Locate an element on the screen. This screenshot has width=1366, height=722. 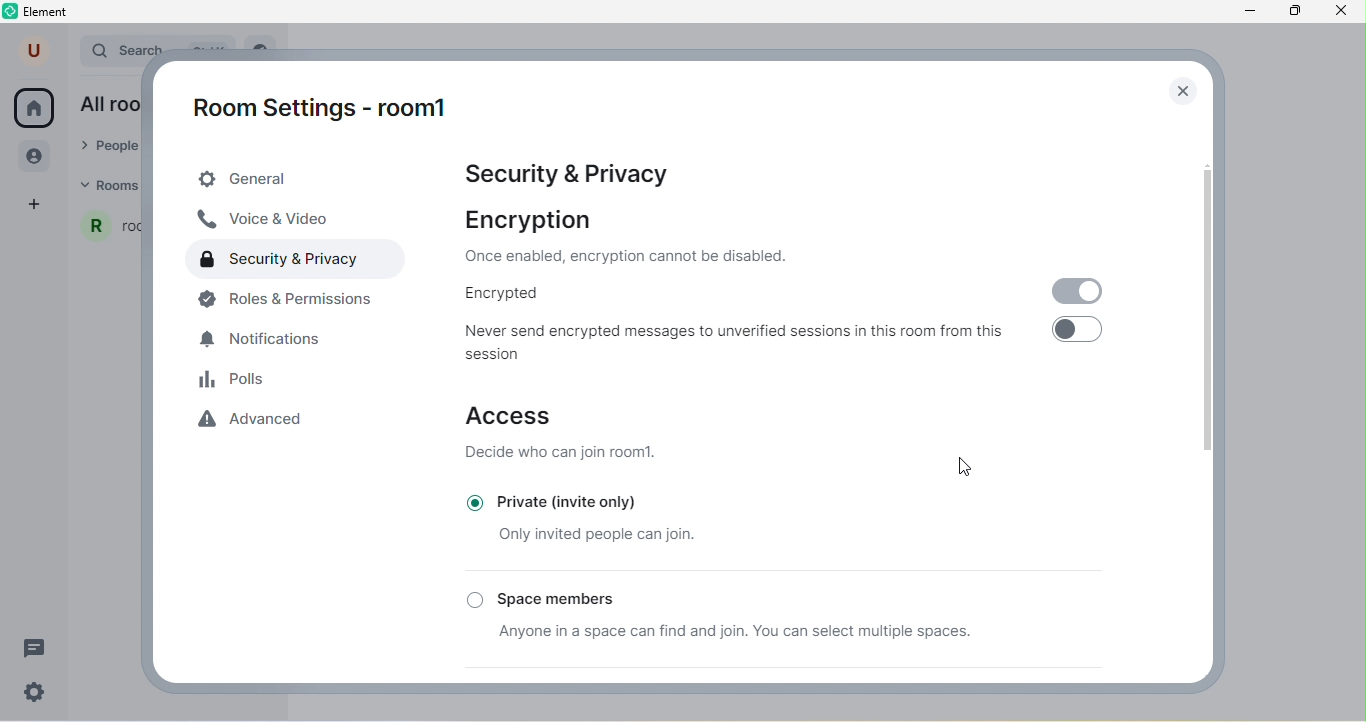
only invited people can join is located at coordinates (582, 535).